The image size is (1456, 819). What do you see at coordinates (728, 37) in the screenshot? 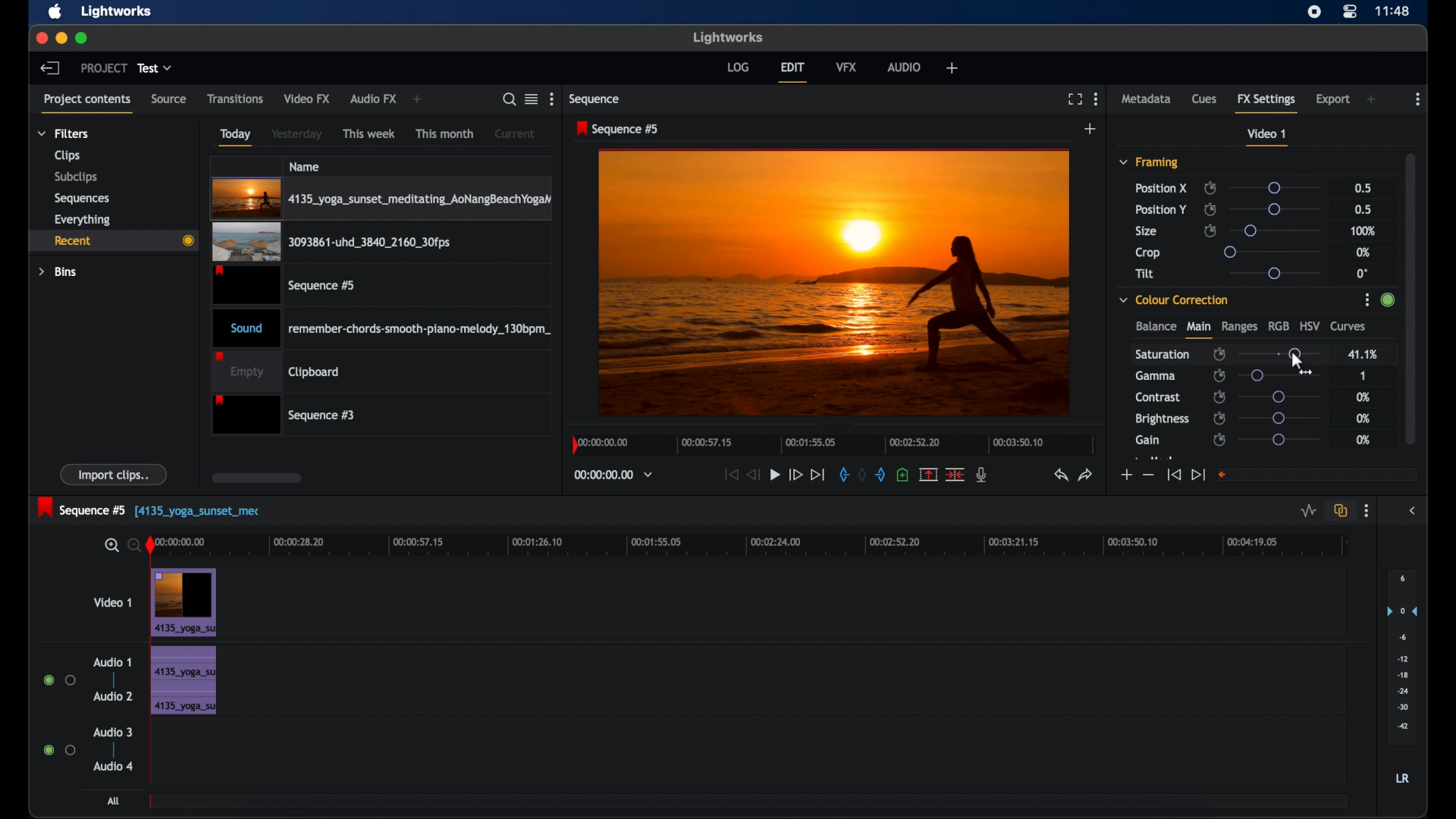
I see `lightworks` at bounding box center [728, 37].